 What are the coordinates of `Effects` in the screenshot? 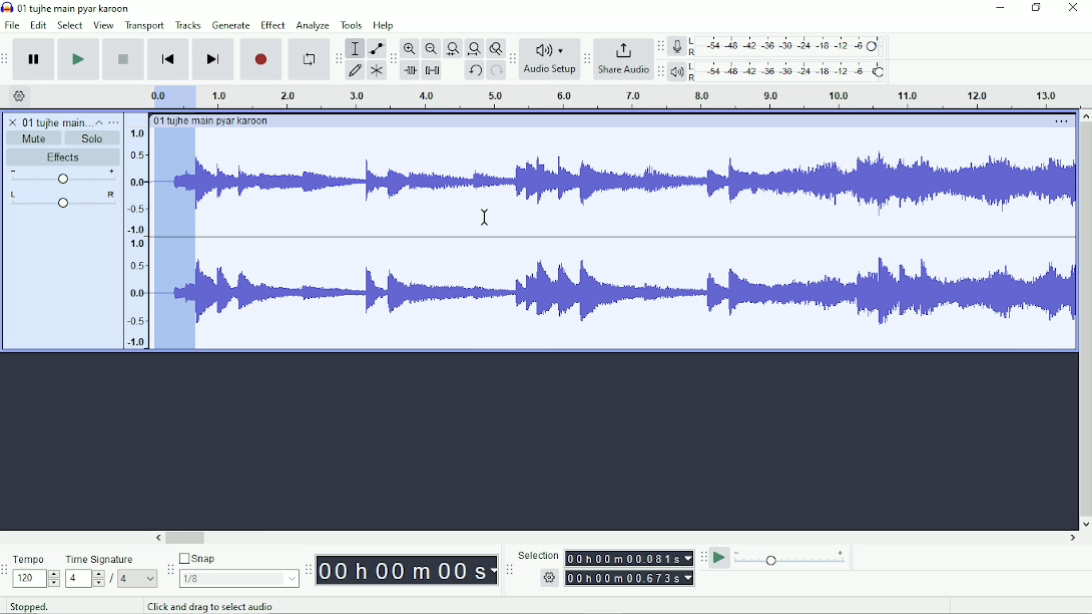 It's located at (63, 158).